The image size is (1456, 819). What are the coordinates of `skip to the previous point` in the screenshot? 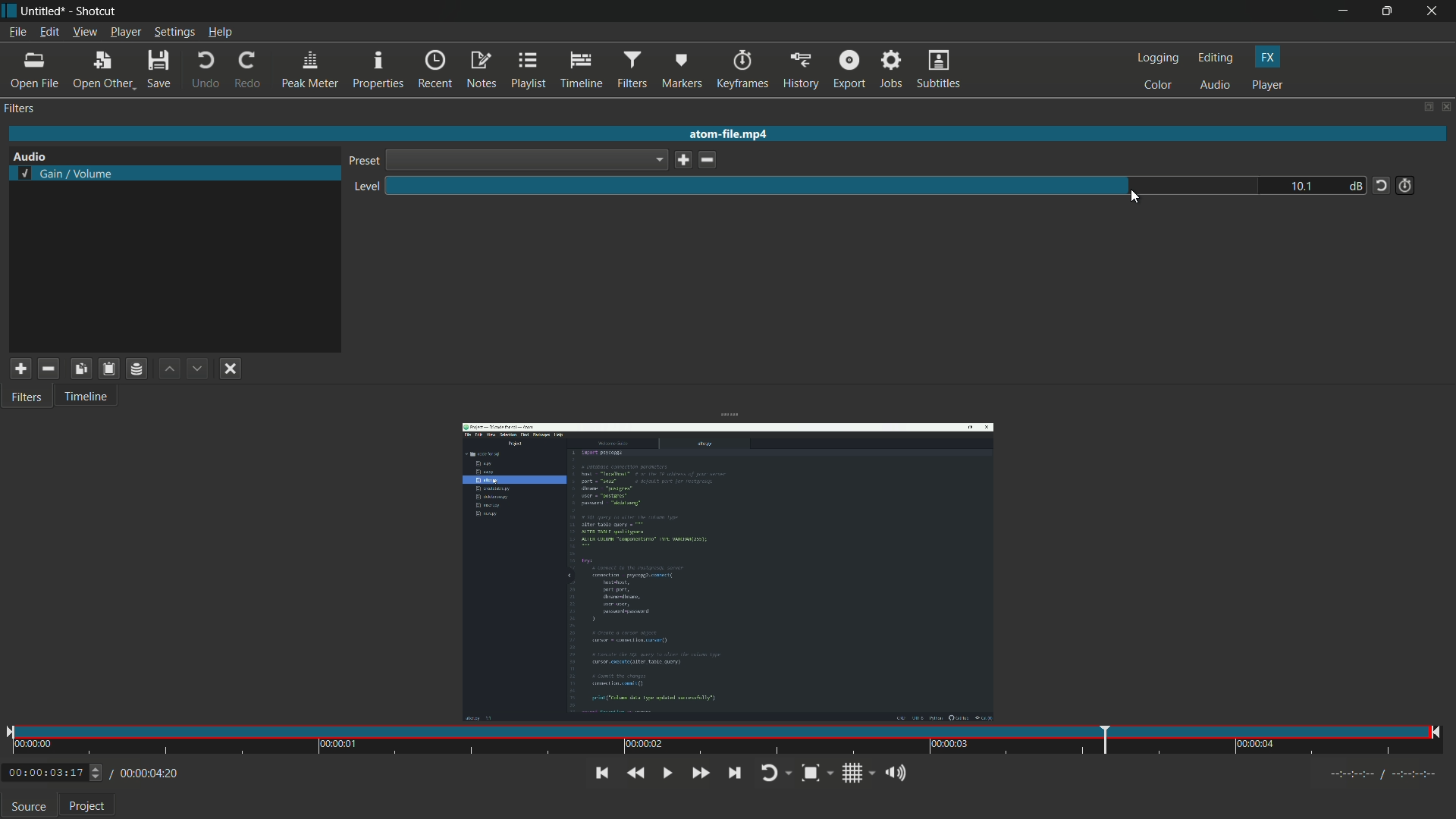 It's located at (601, 773).